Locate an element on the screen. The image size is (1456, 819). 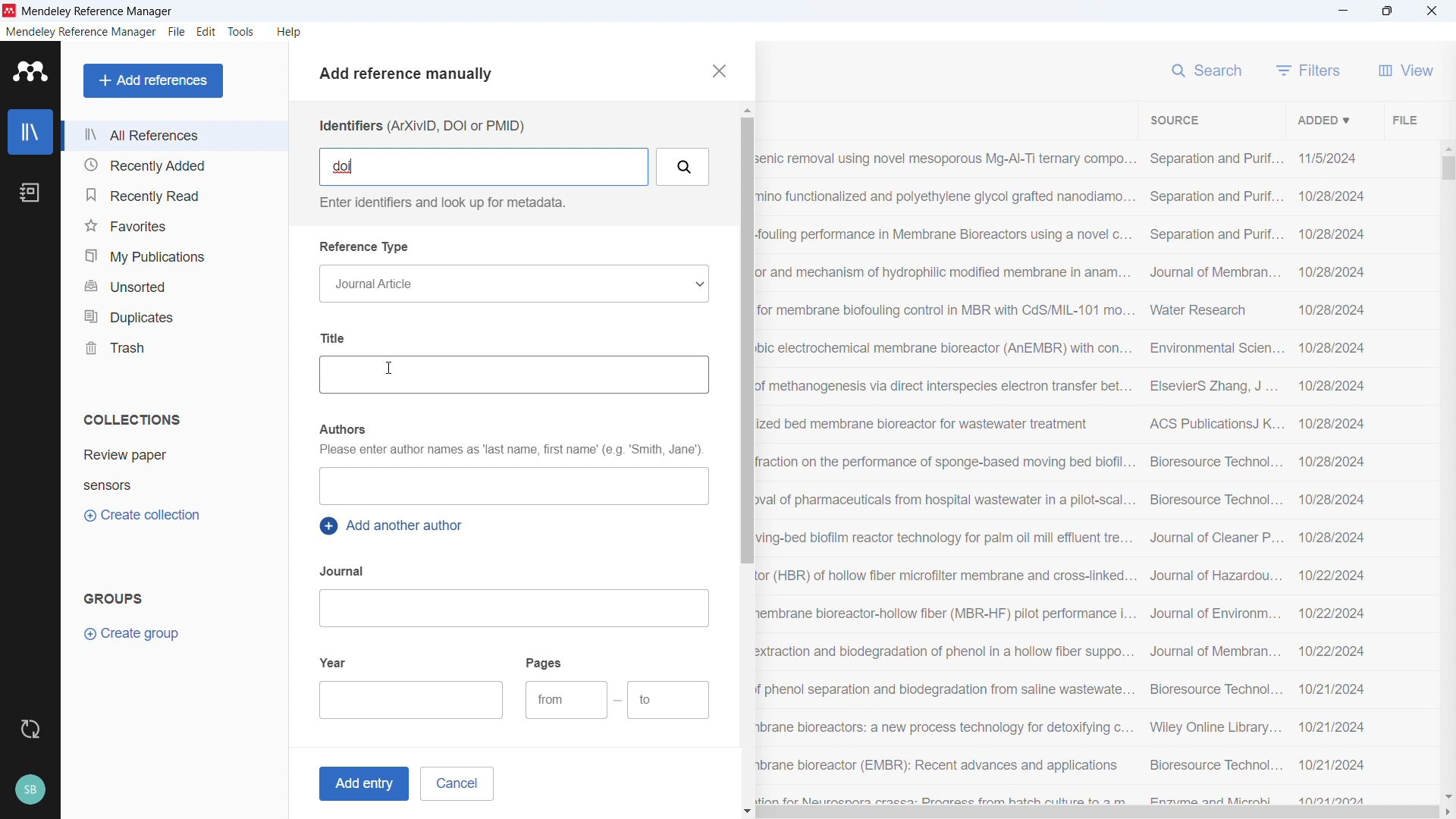
Sort by source  is located at coordinates (1174, 121).